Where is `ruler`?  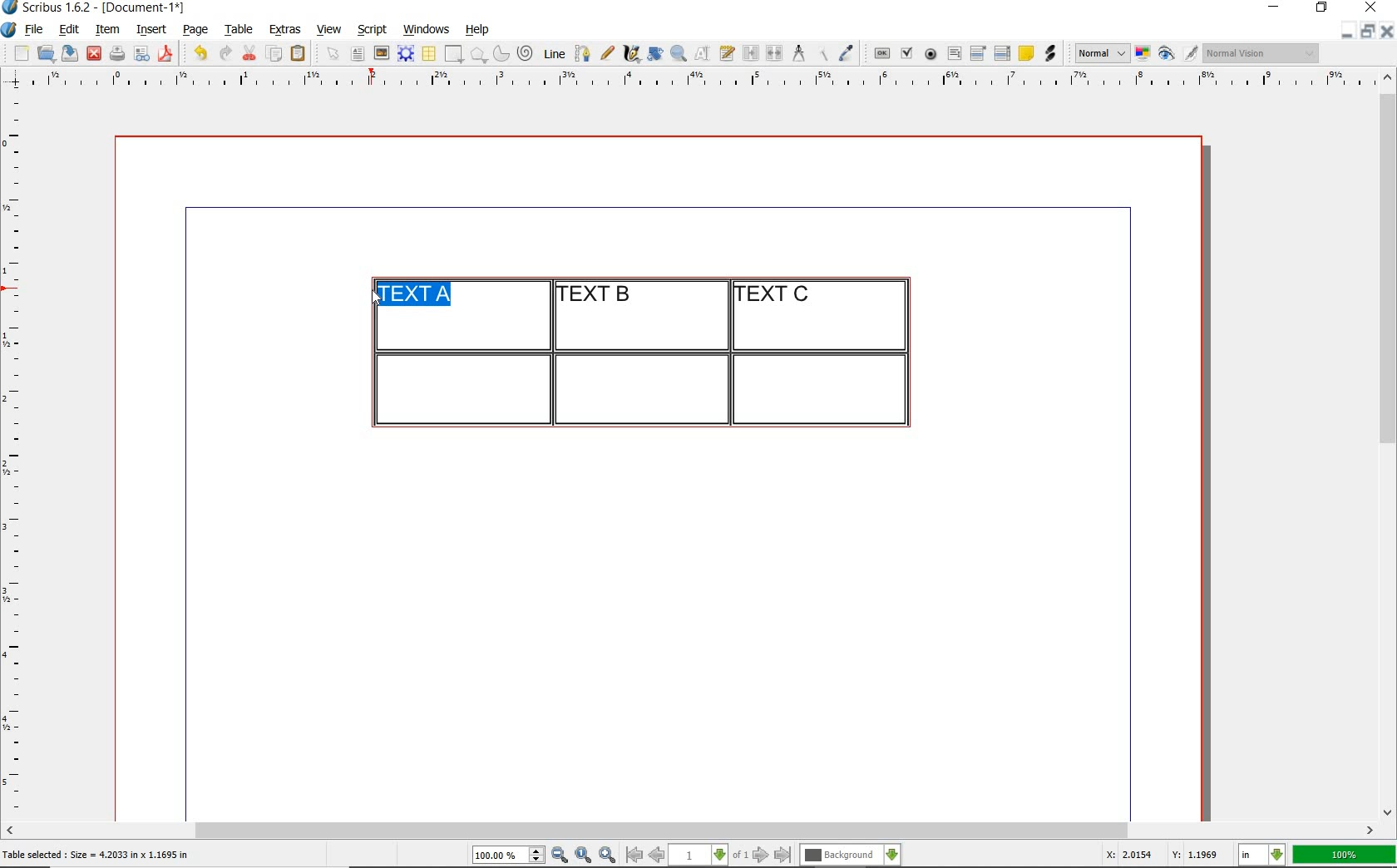
ruler is located at coordinates (18, 454).